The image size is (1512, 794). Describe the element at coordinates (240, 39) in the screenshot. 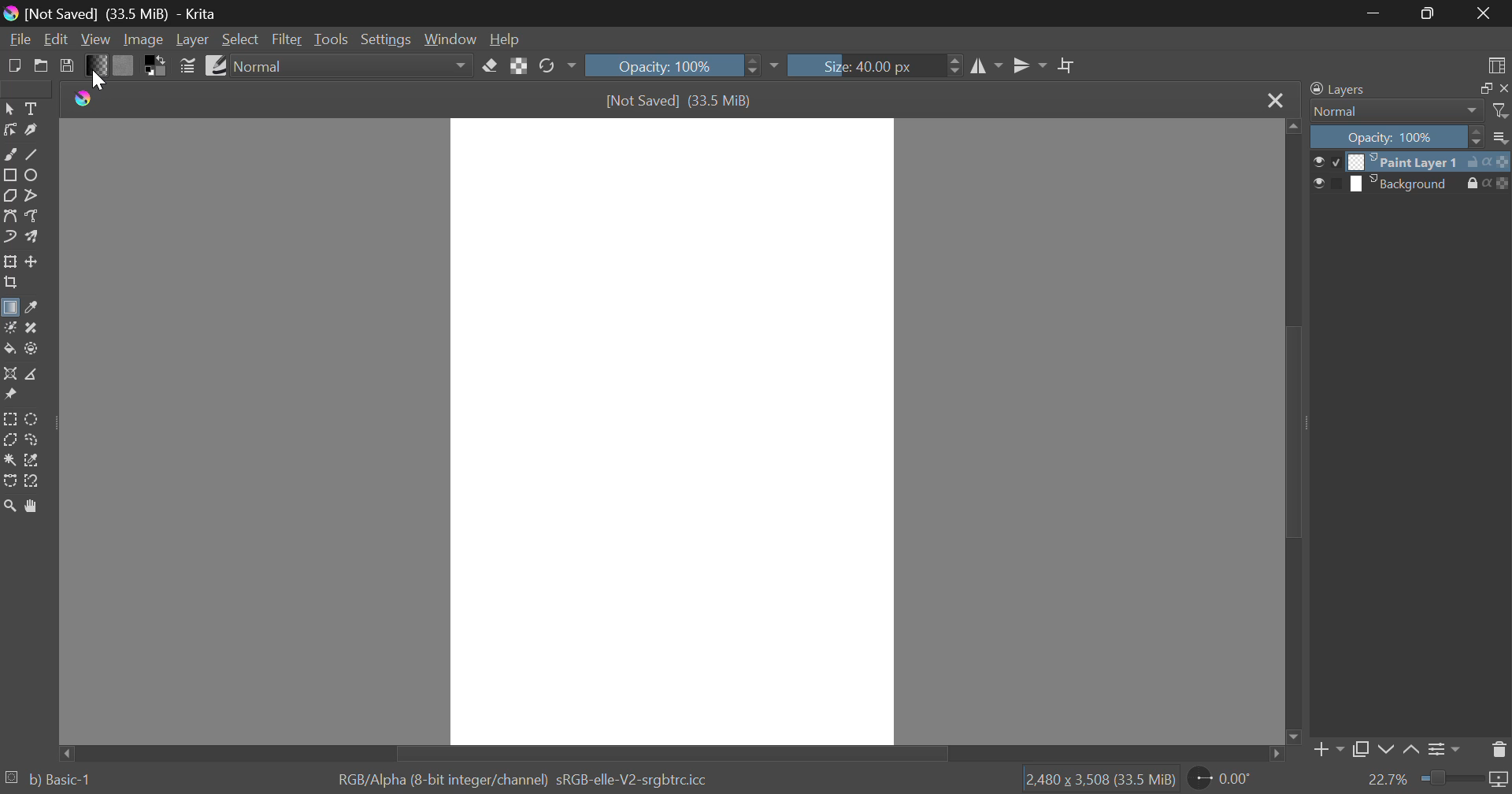

I see `Select` at that location.